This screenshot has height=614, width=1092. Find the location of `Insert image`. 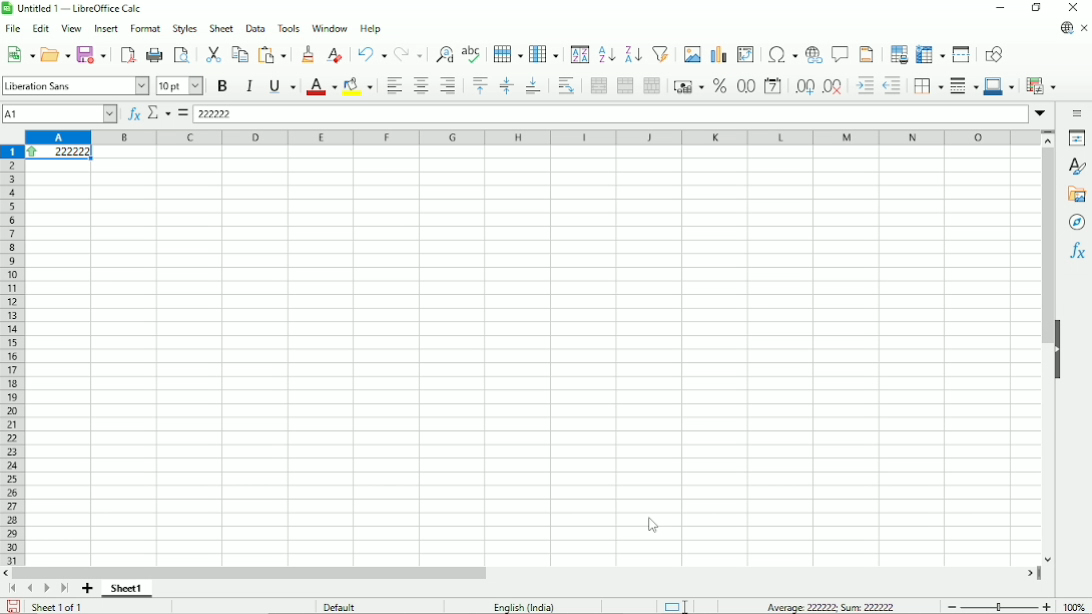

Insert image is located at coordinates (693, 52).